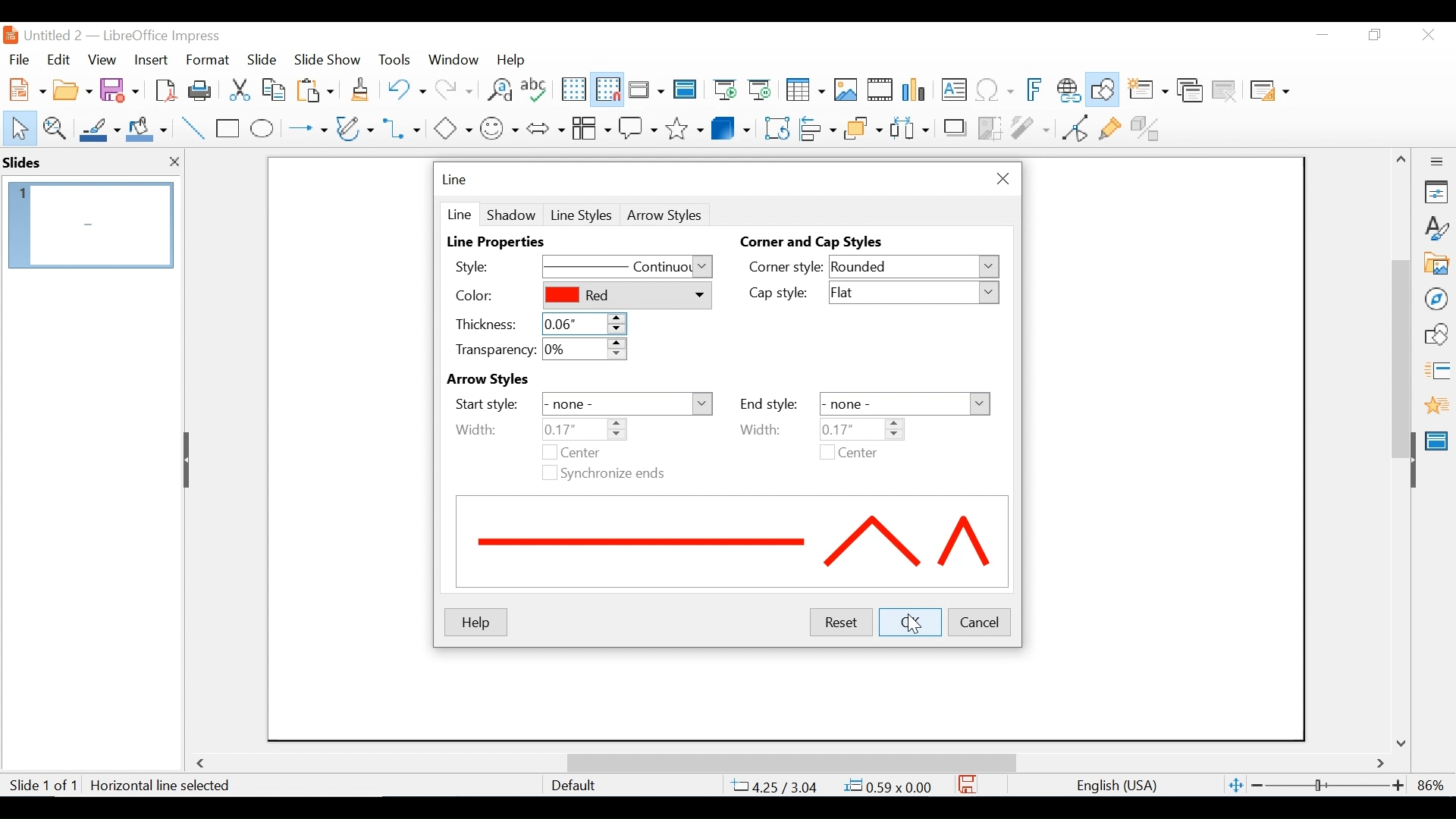 The width and height of the screenshot is (1456, 819). I want to click on Copy, so click(275, 89).